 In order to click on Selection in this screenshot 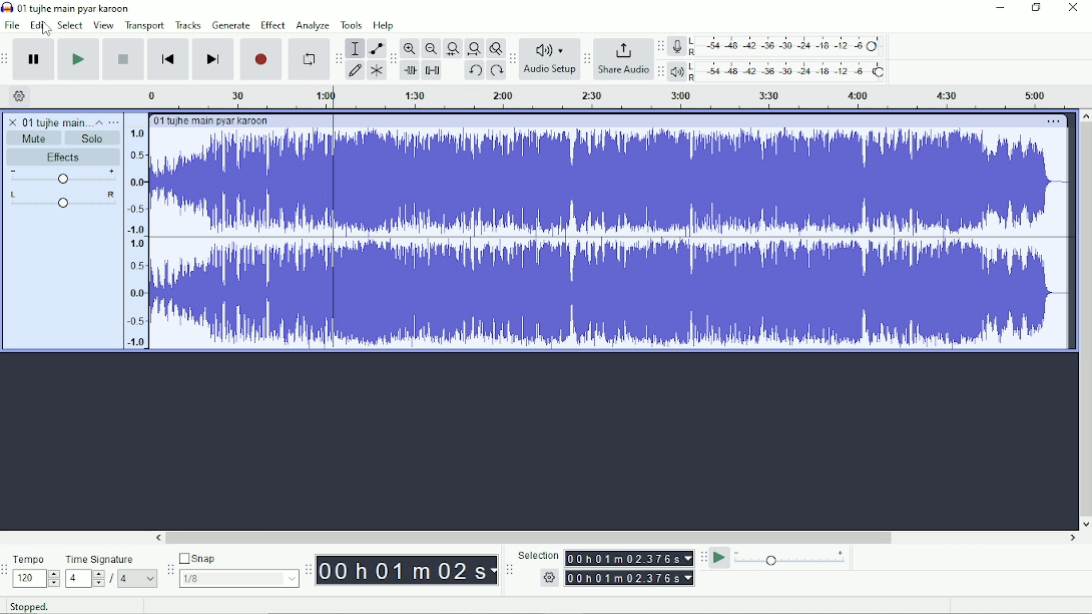, I will do `click(606, 568)`.